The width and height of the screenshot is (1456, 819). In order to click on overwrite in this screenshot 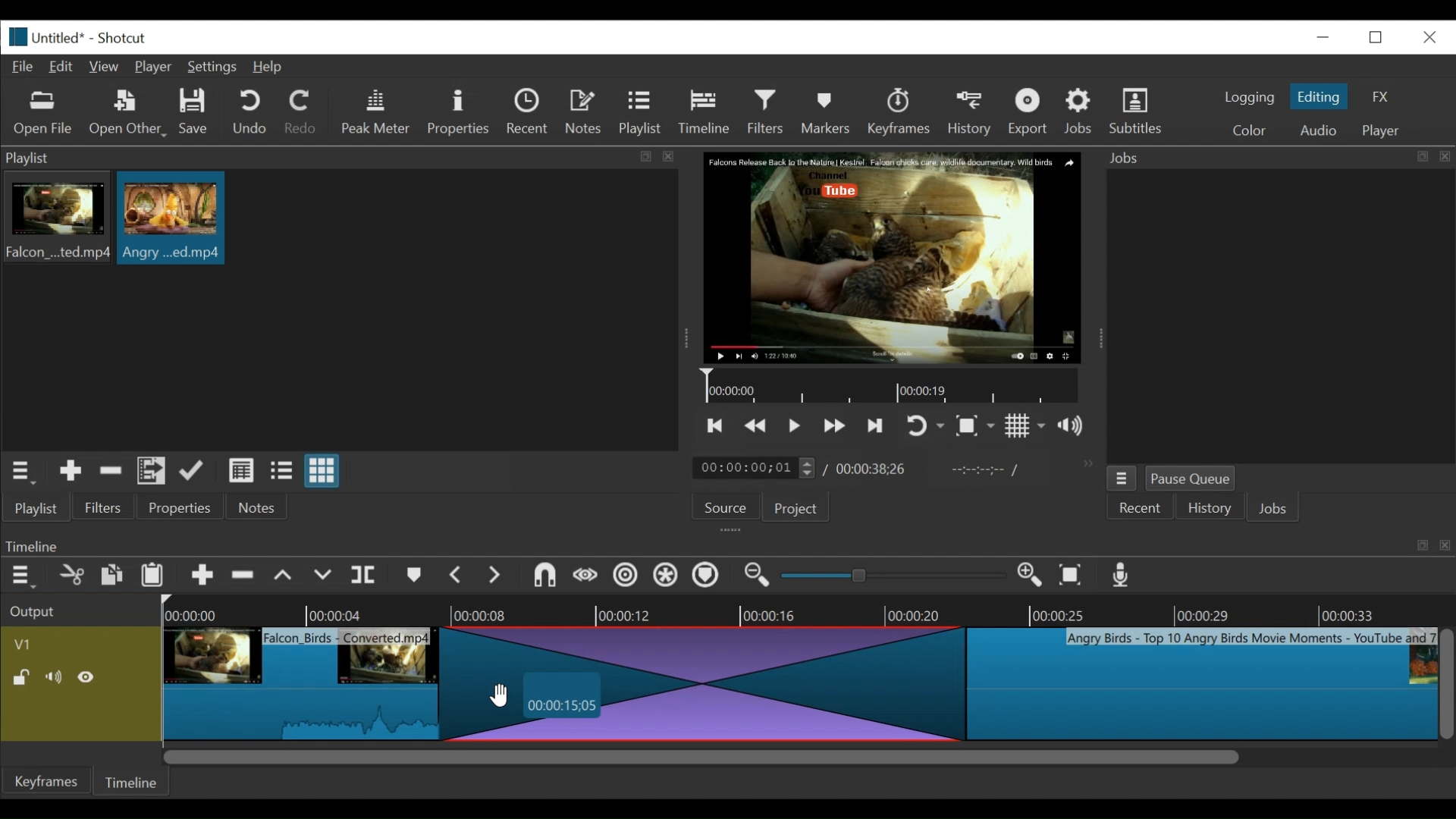, I will do `click(325, 576)`.